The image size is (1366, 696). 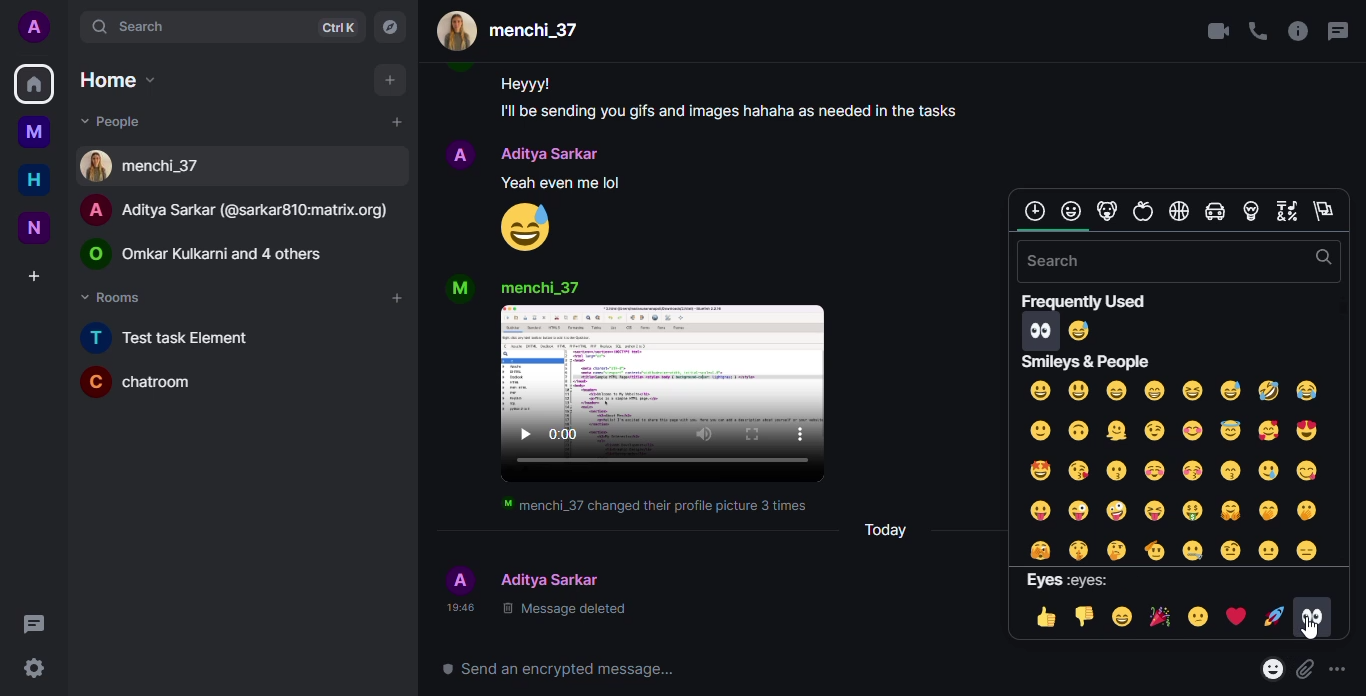 What do you see at coordinates (1304, 670) in the screenshot?
I see `attach` at bounding box center [1304, 670].